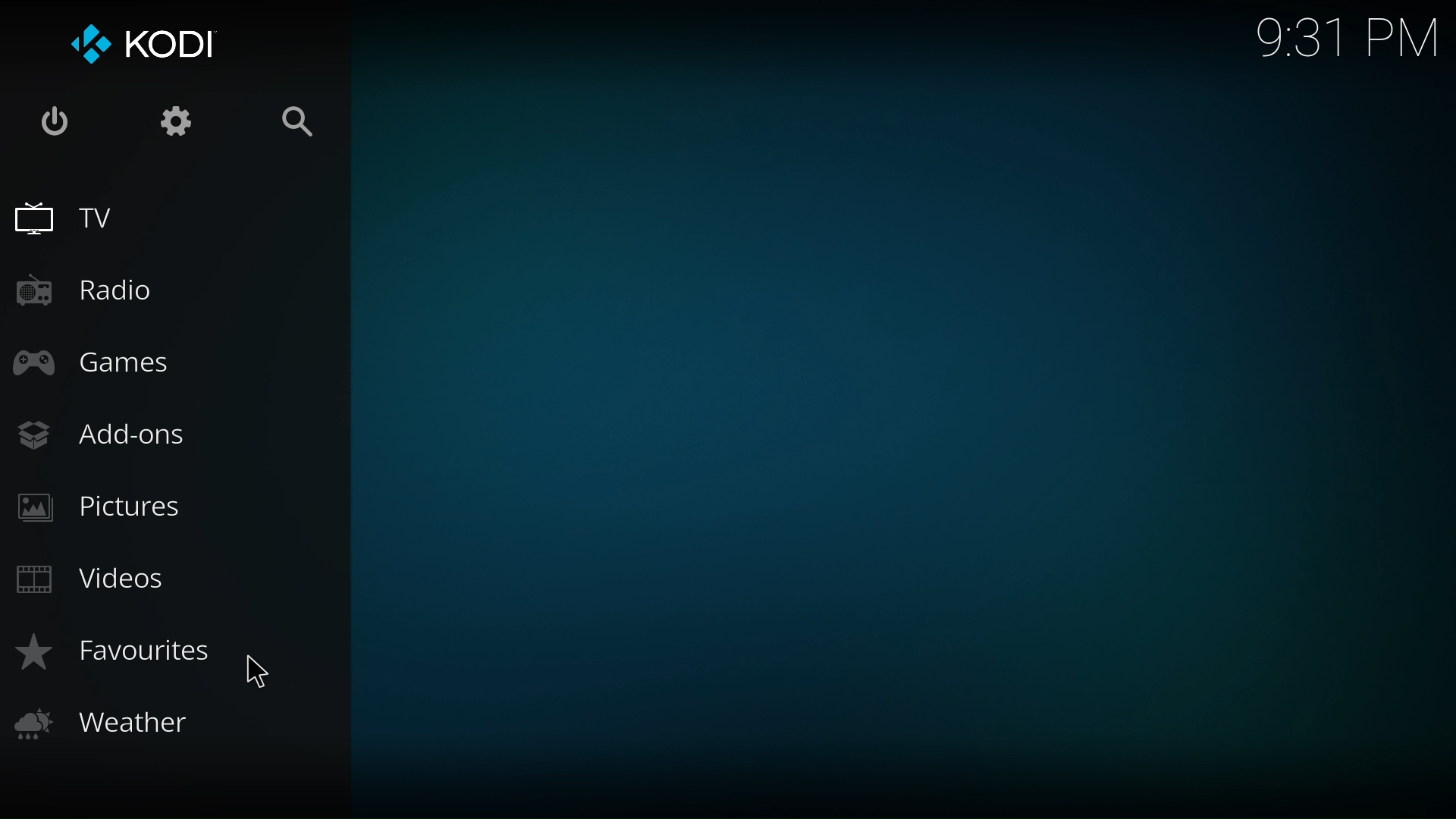  Describe the element at coordinates (1351, 39) in the screenshot. I see `9:31 PM` at that location.